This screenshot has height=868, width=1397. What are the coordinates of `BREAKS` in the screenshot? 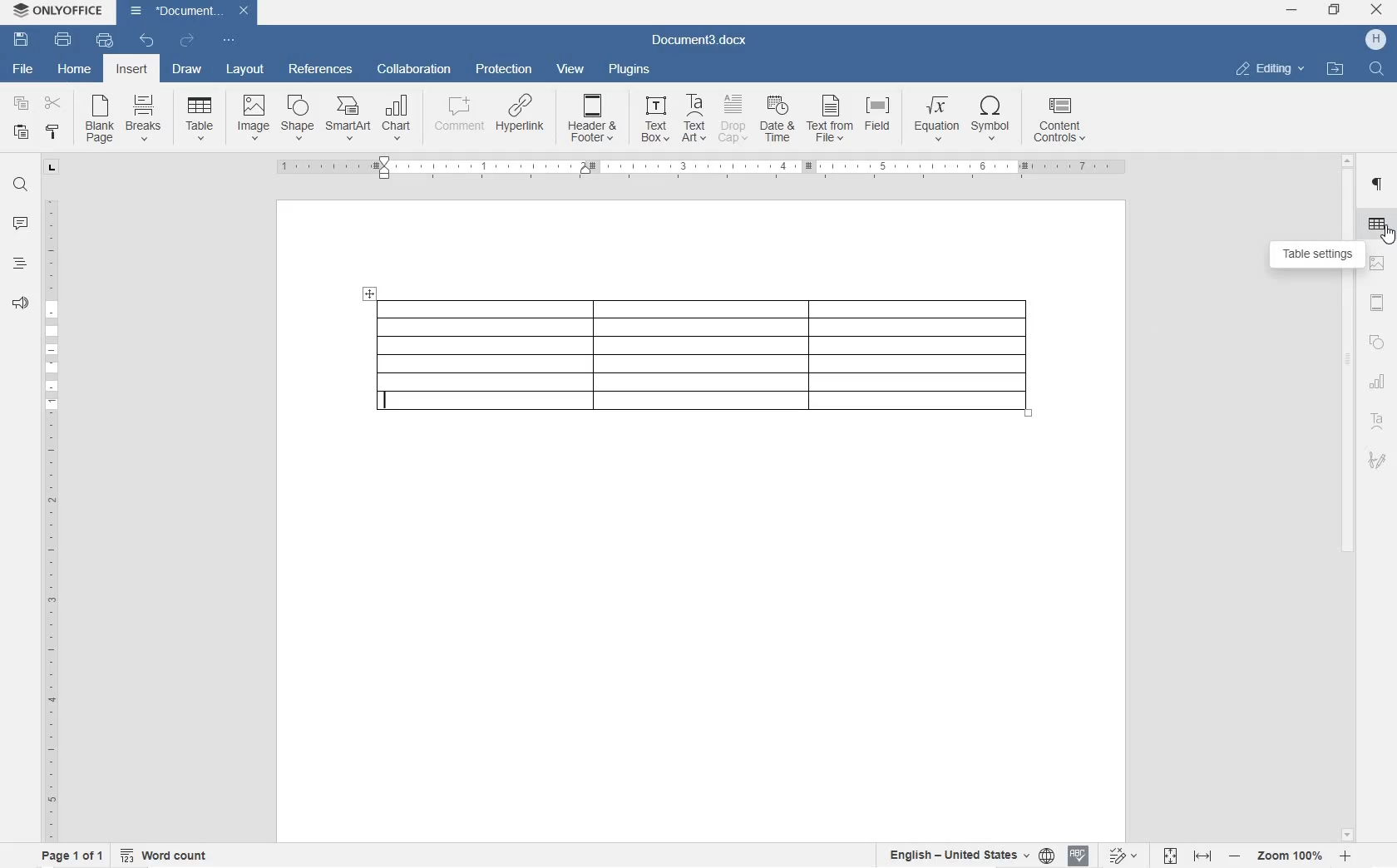 It's located at (146, 119).